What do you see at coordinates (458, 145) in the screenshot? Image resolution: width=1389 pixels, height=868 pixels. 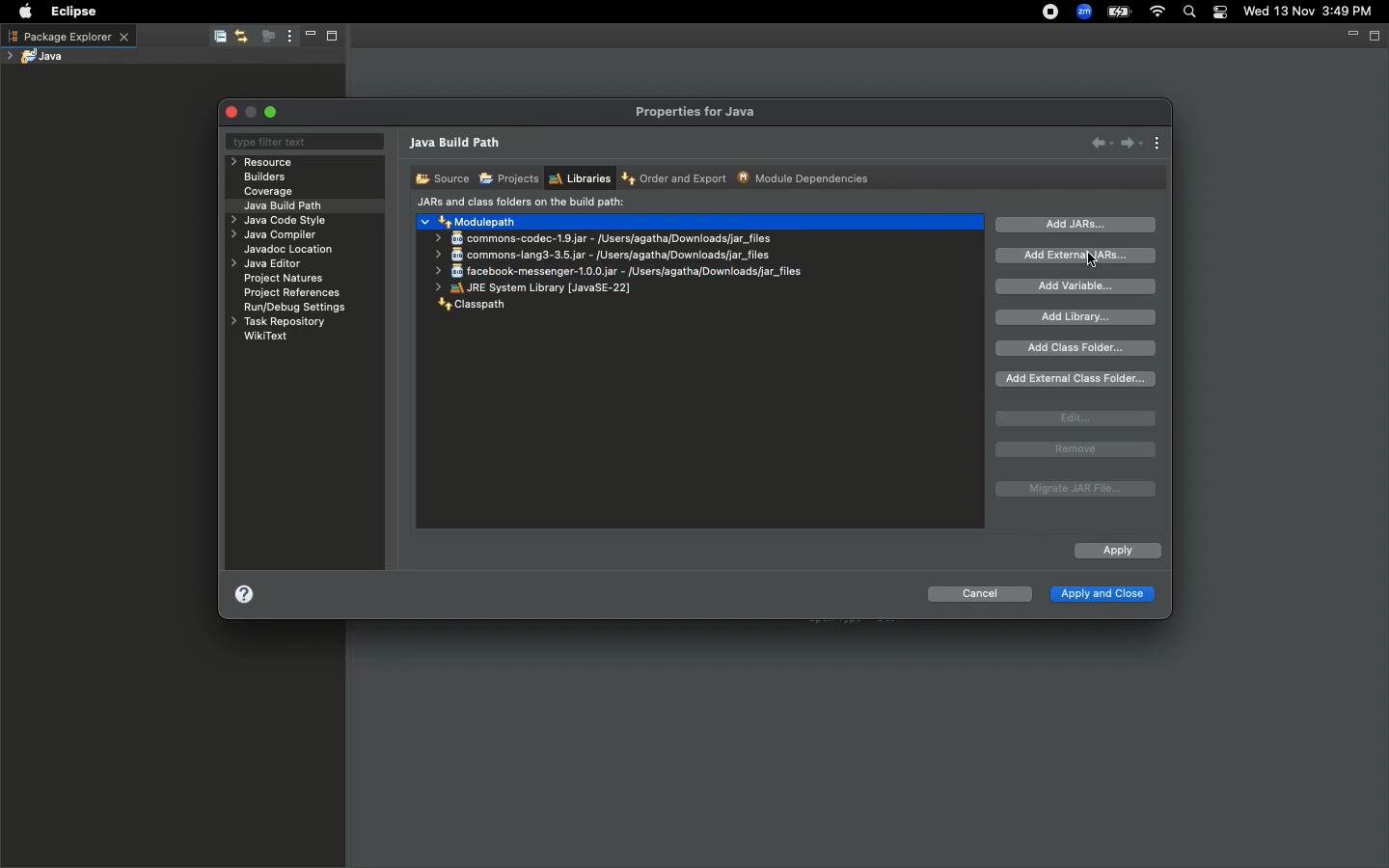 I see `Java build path` at bounding box center [458, 145].